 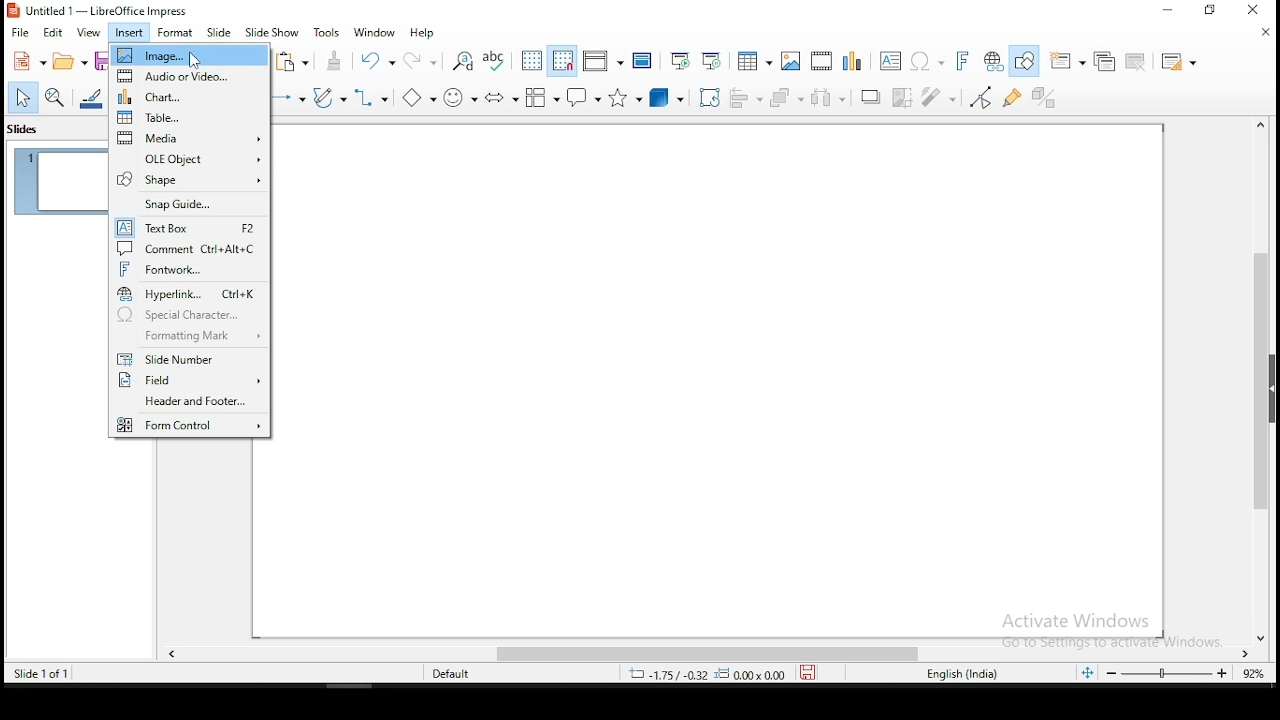 I want to click on scroll down, so click(x=1264, y=641).